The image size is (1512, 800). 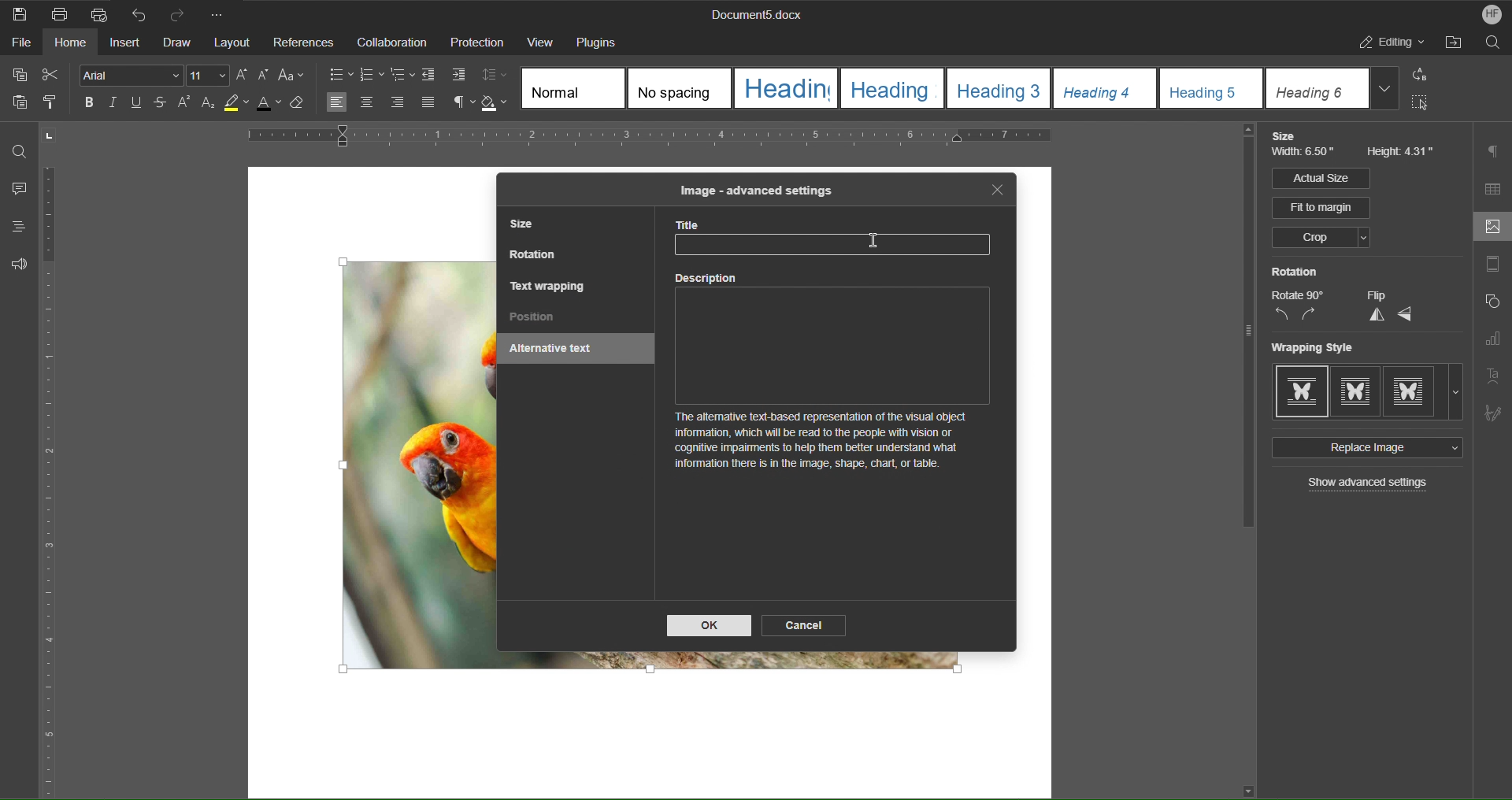 I want to click on Horizontal Ruler, so click(x=702, y=139).